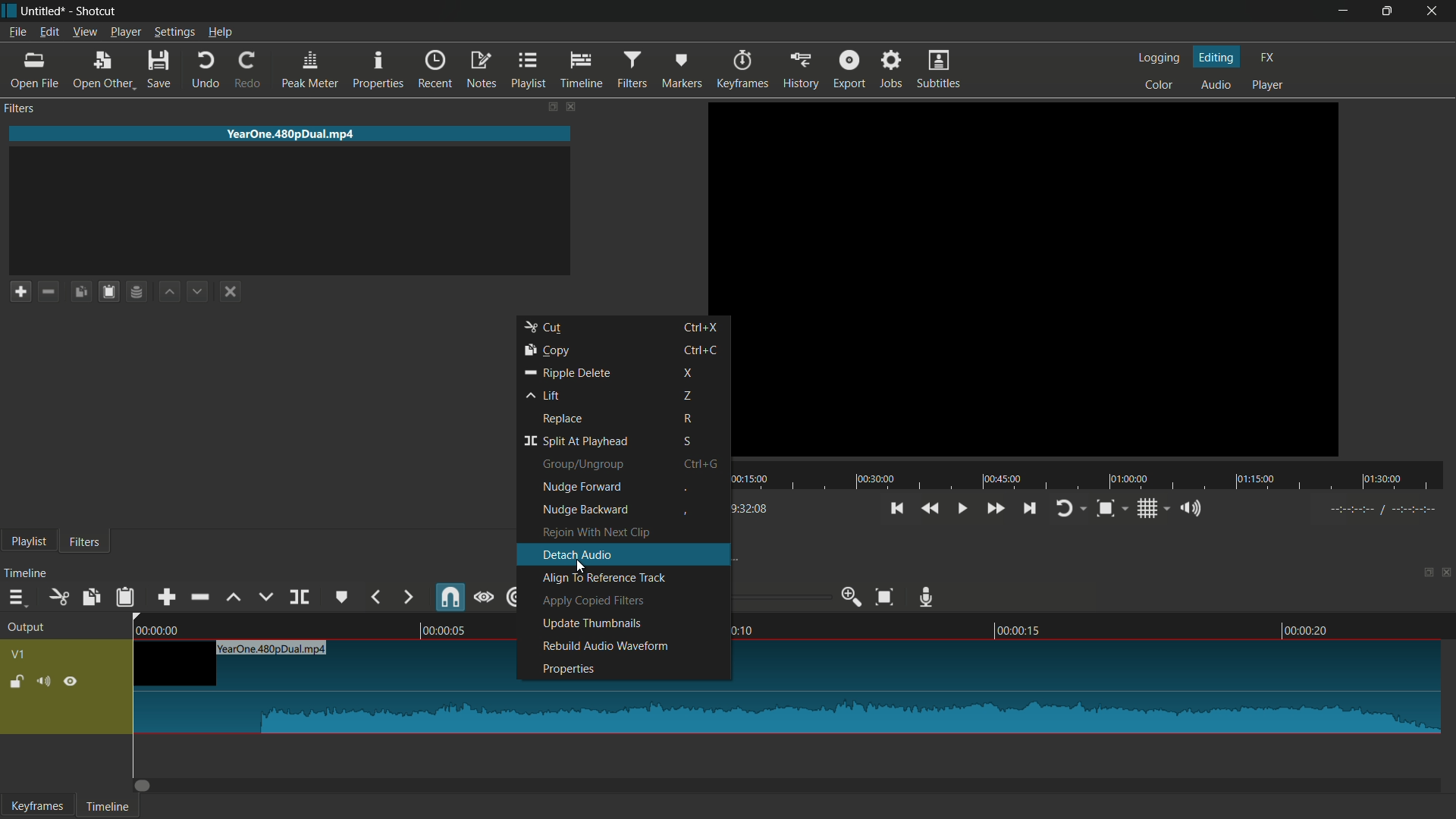 This screenshot has width=1456, height=819. What do you see at coordinates (531, 69) in the screenshot?
I see `playlist` at bounding box center [531, 69].